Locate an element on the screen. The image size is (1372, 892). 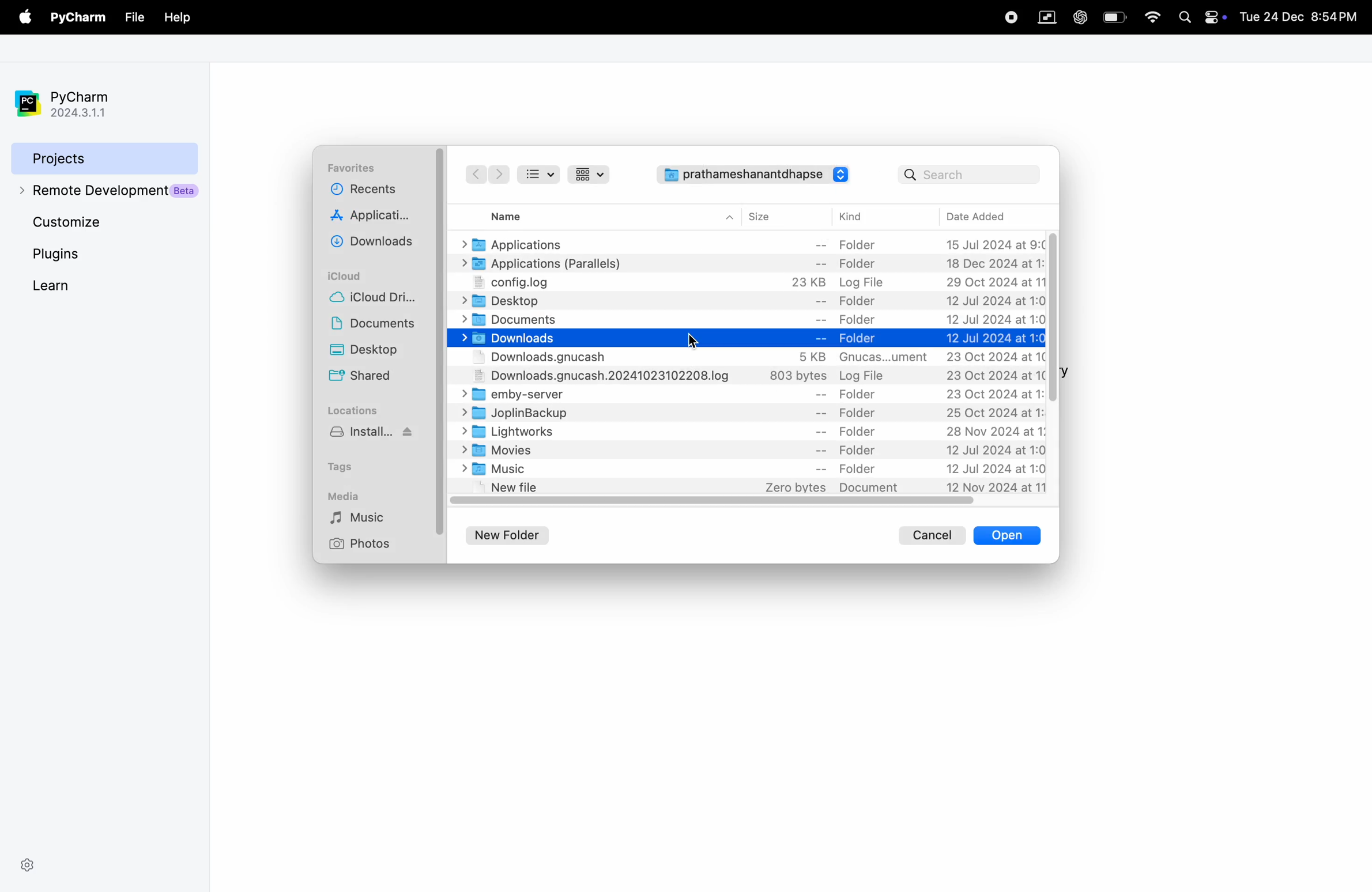
applications is located at coordinates (375, 217).